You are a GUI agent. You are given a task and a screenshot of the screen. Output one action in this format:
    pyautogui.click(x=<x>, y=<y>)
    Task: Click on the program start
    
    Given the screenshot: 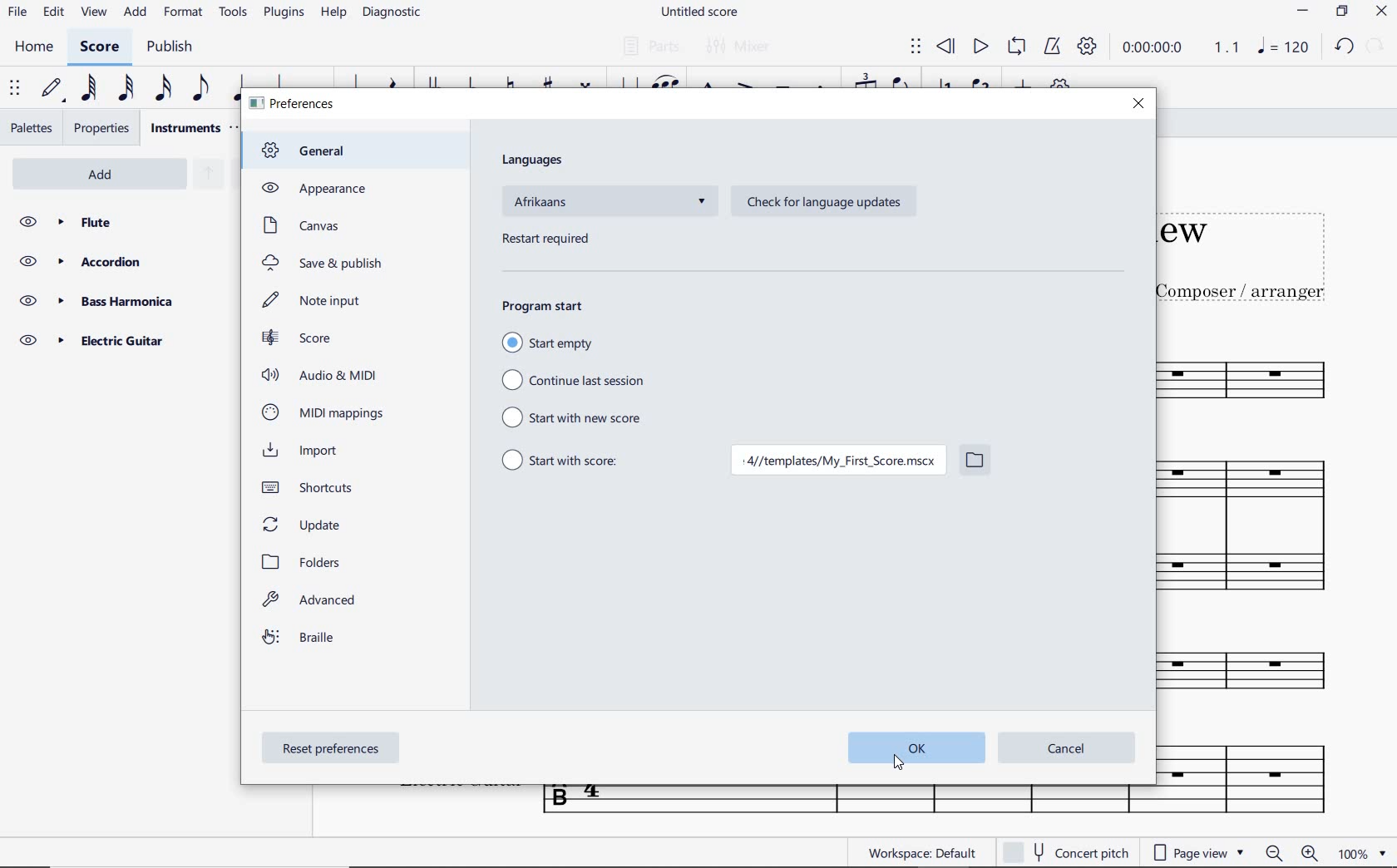 What is the action you would take?
    pyautogui.click(x=545, y=307)
    